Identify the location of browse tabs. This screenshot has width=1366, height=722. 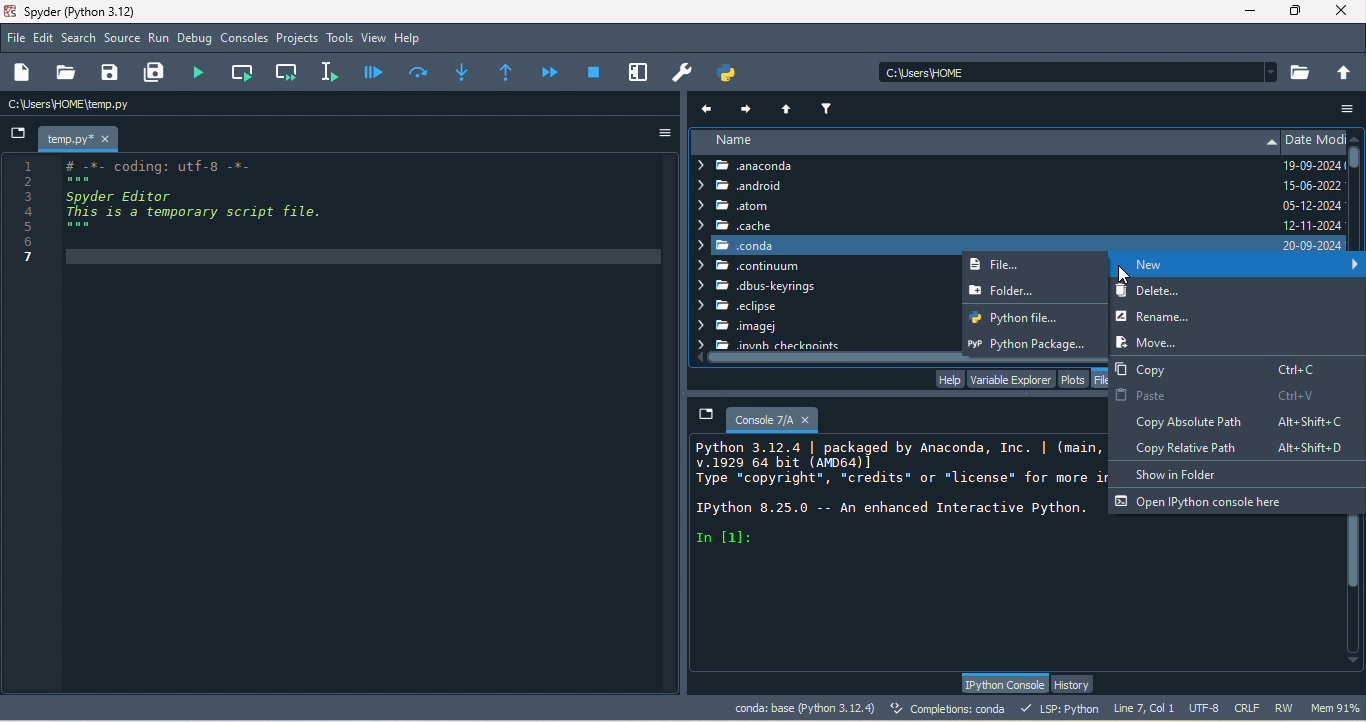
(18, 135).